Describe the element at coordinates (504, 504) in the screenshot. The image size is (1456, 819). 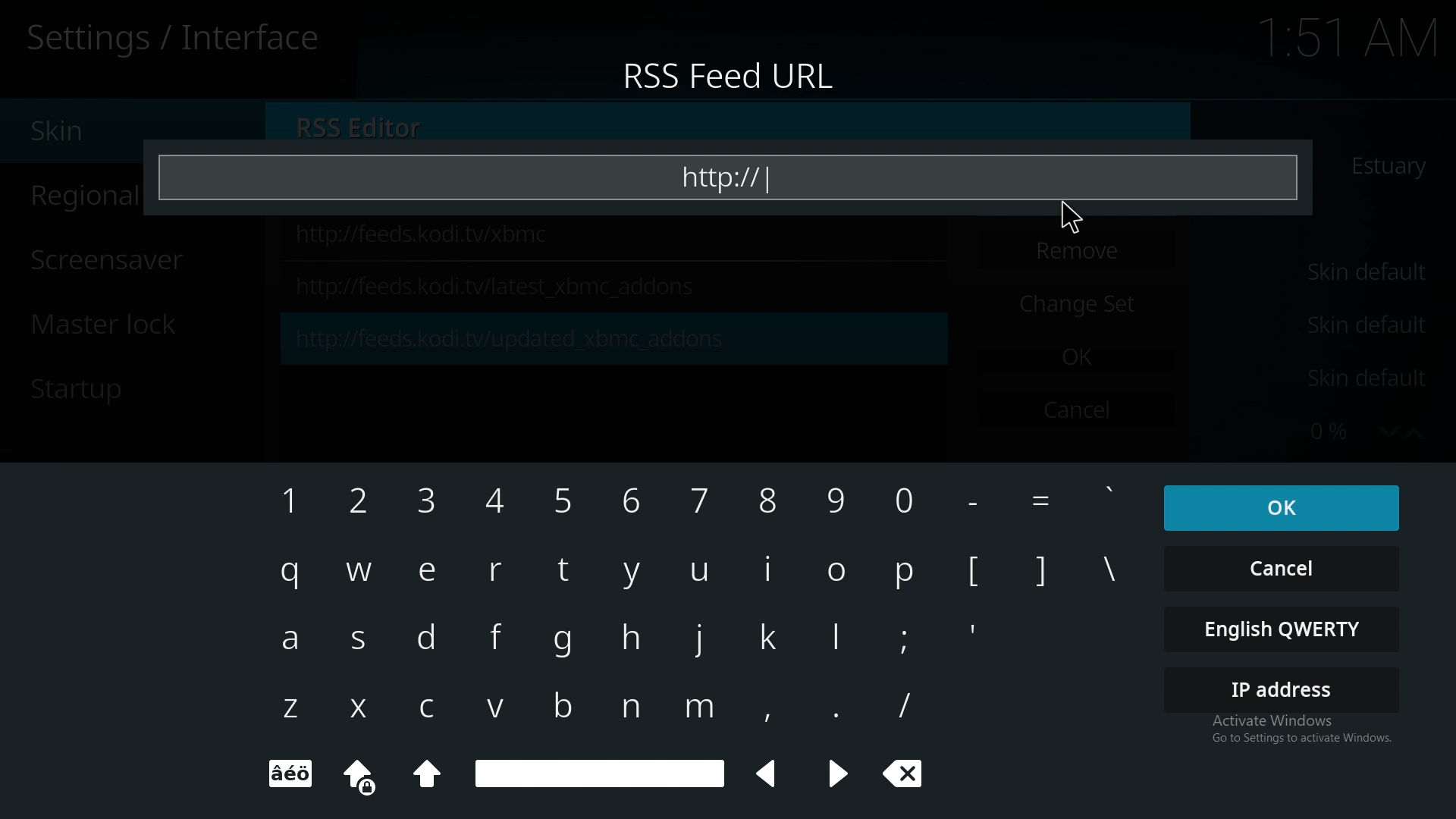
I see `4` at that location.